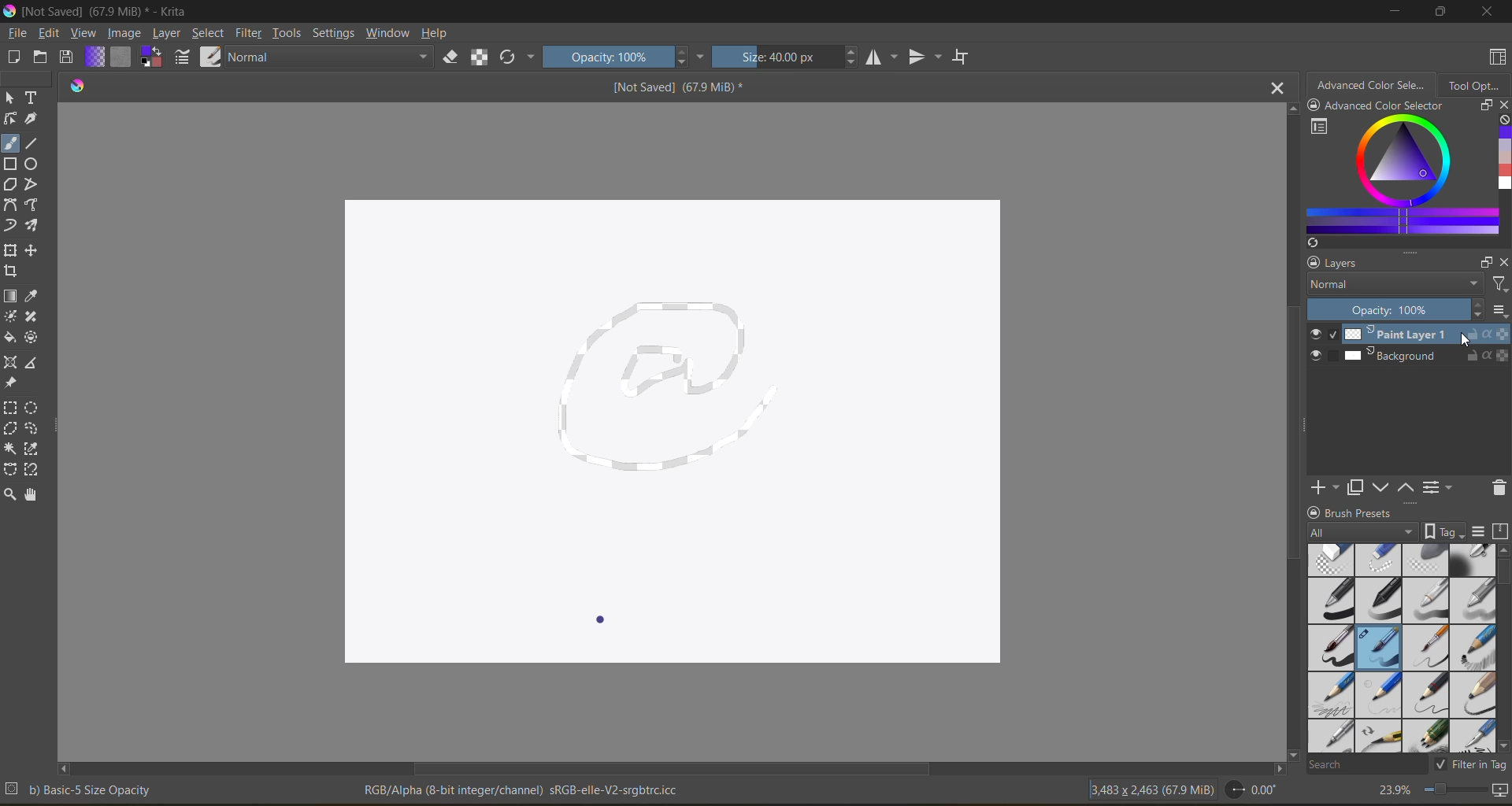  What do you see at coordinates (121, 57) in the screenshot?
I see `fill patterns` at bounding box center [121, 57].